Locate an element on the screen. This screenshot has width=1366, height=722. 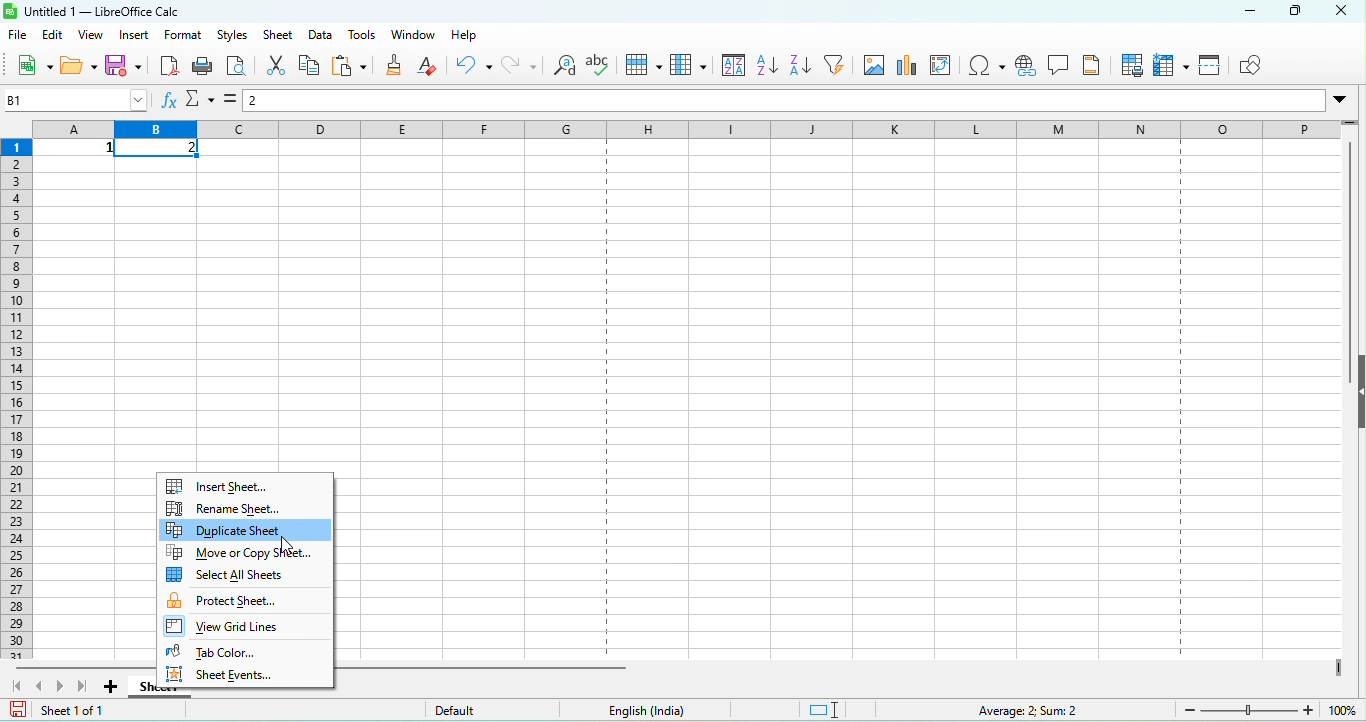
formula is located at coordinates (229, 99).